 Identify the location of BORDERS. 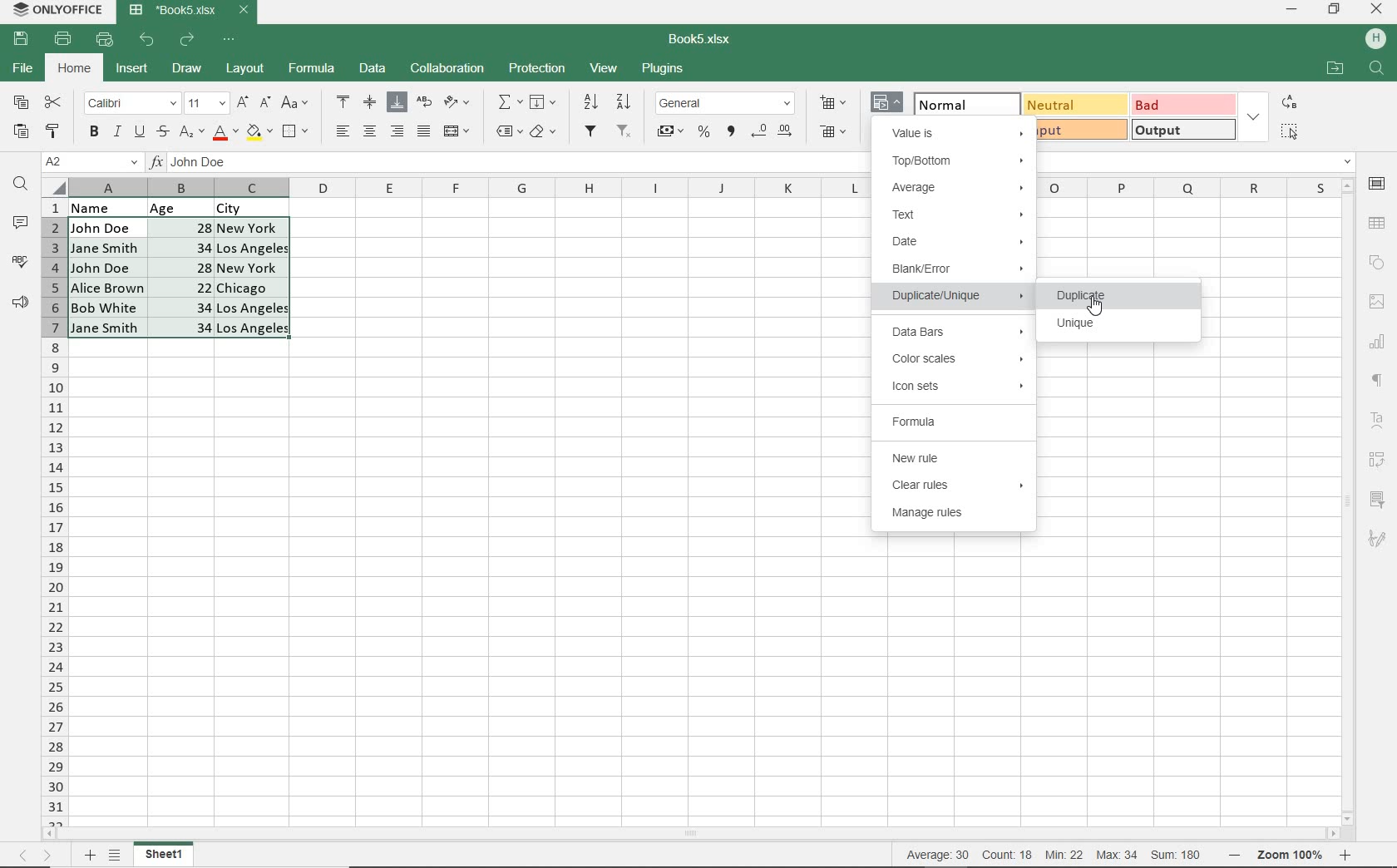
(298, 132).